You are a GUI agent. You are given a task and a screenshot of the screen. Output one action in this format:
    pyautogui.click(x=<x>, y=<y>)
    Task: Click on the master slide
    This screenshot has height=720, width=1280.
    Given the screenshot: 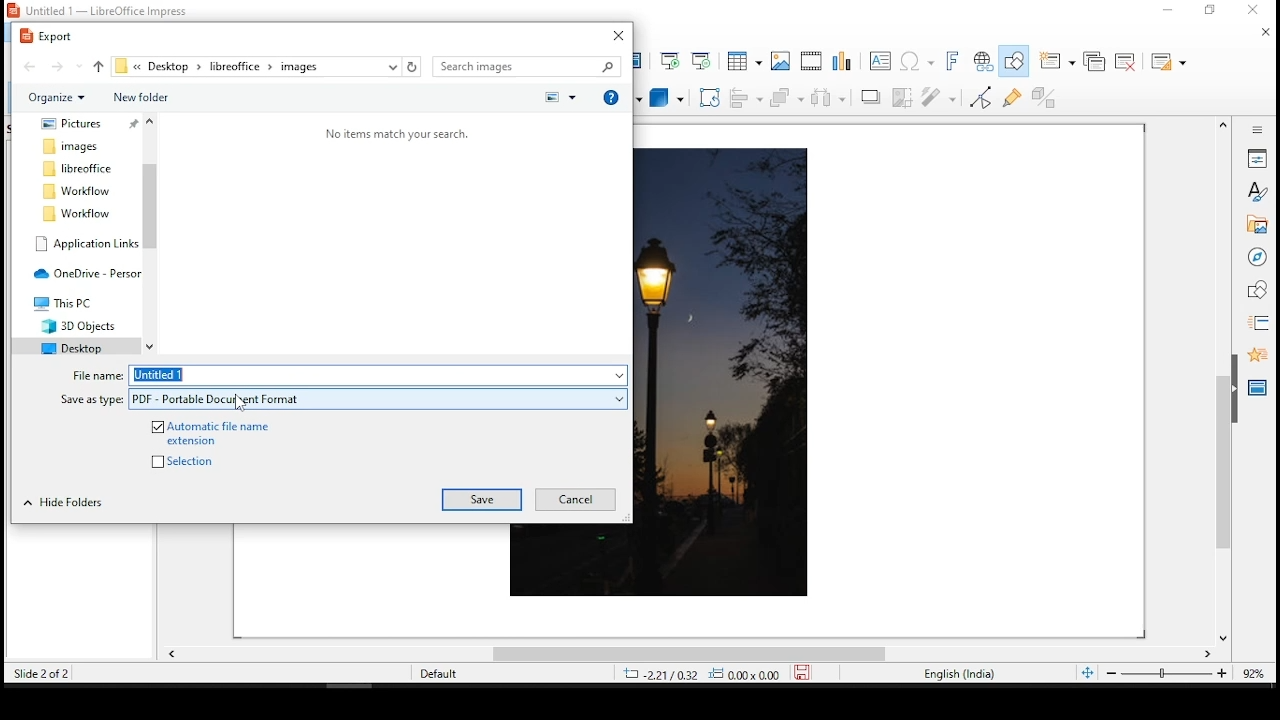 What is the action you would take?
    pyautogui.click(x=641, y=60)
    